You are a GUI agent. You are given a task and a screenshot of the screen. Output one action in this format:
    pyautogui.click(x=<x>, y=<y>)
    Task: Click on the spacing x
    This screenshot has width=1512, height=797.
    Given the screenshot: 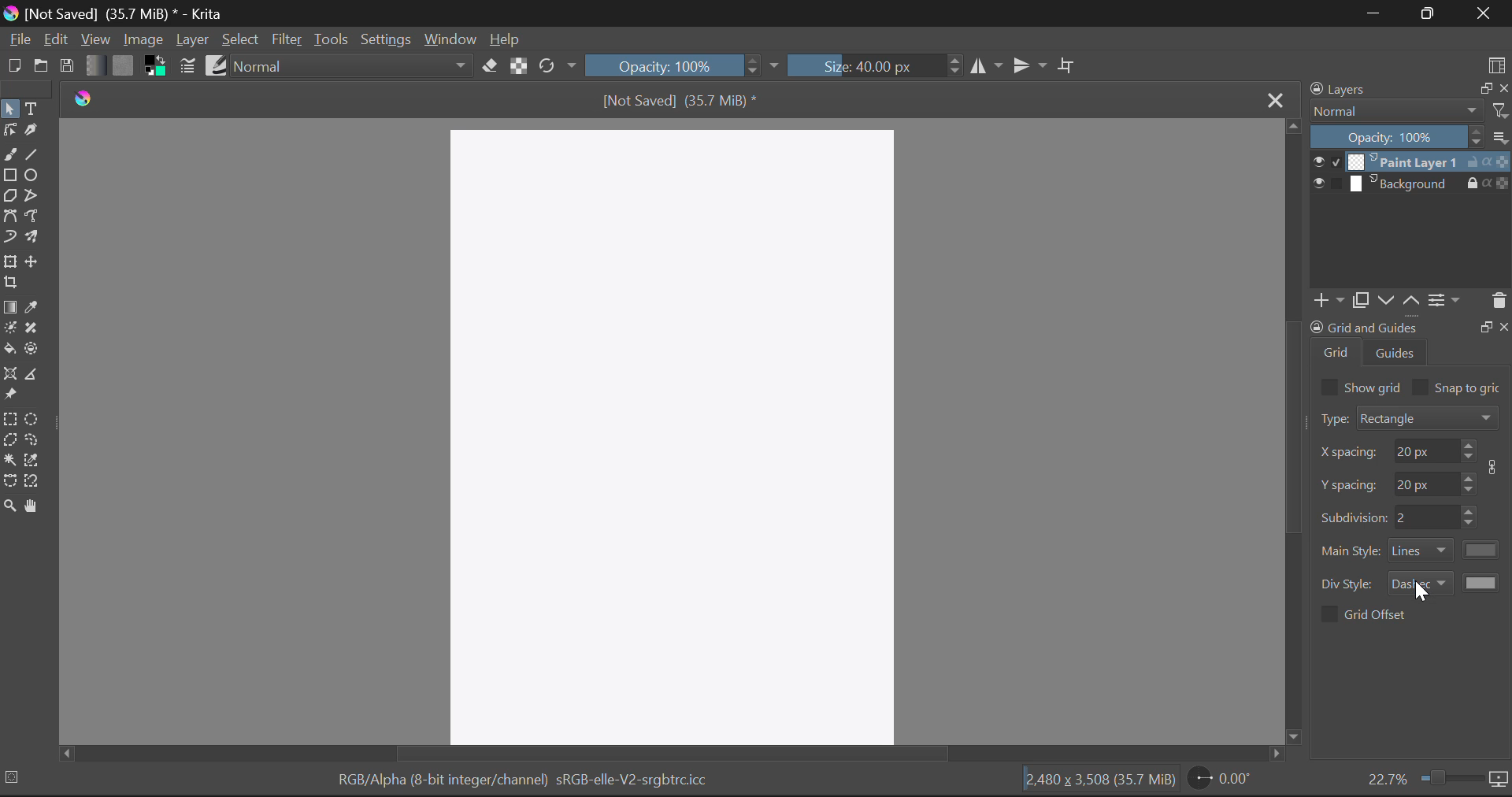 What is the action you would take?
    pyautogui.click(x=1350, y=453)
    